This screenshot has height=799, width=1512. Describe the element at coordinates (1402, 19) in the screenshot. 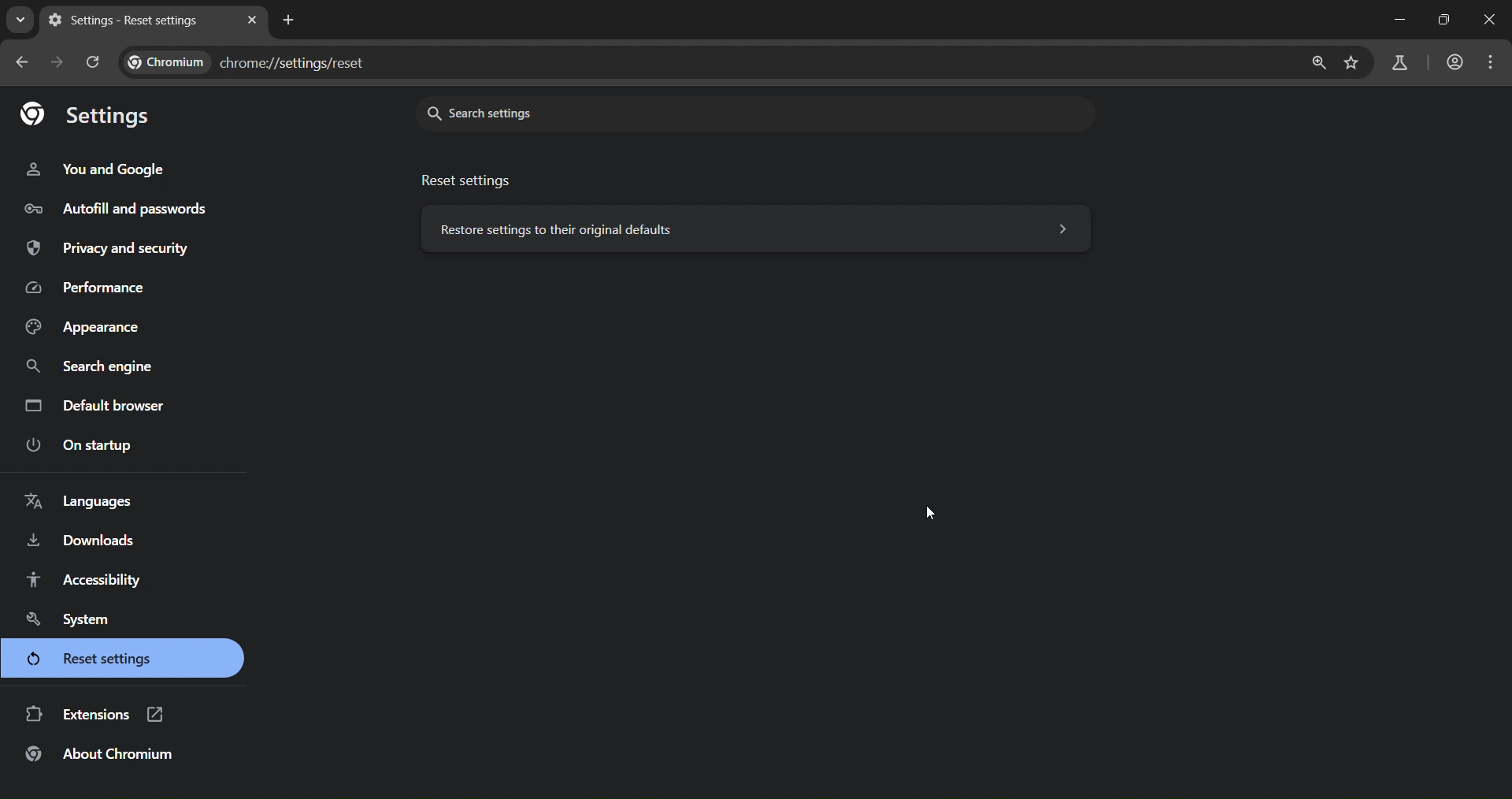

I see `Minimize` at that location.